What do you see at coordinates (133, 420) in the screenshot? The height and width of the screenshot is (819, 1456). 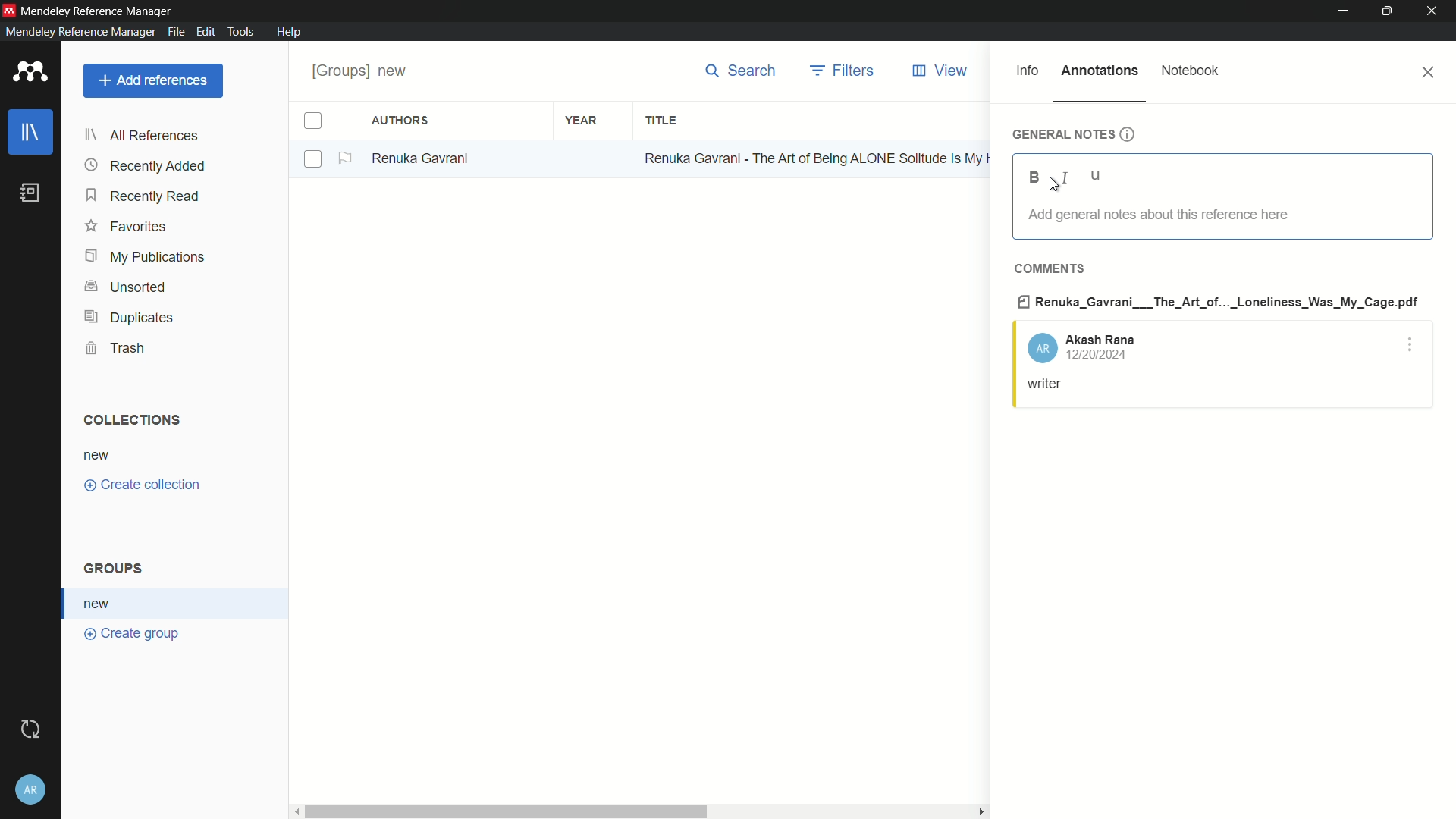 I see `collections` at bounding box center [133, 420].